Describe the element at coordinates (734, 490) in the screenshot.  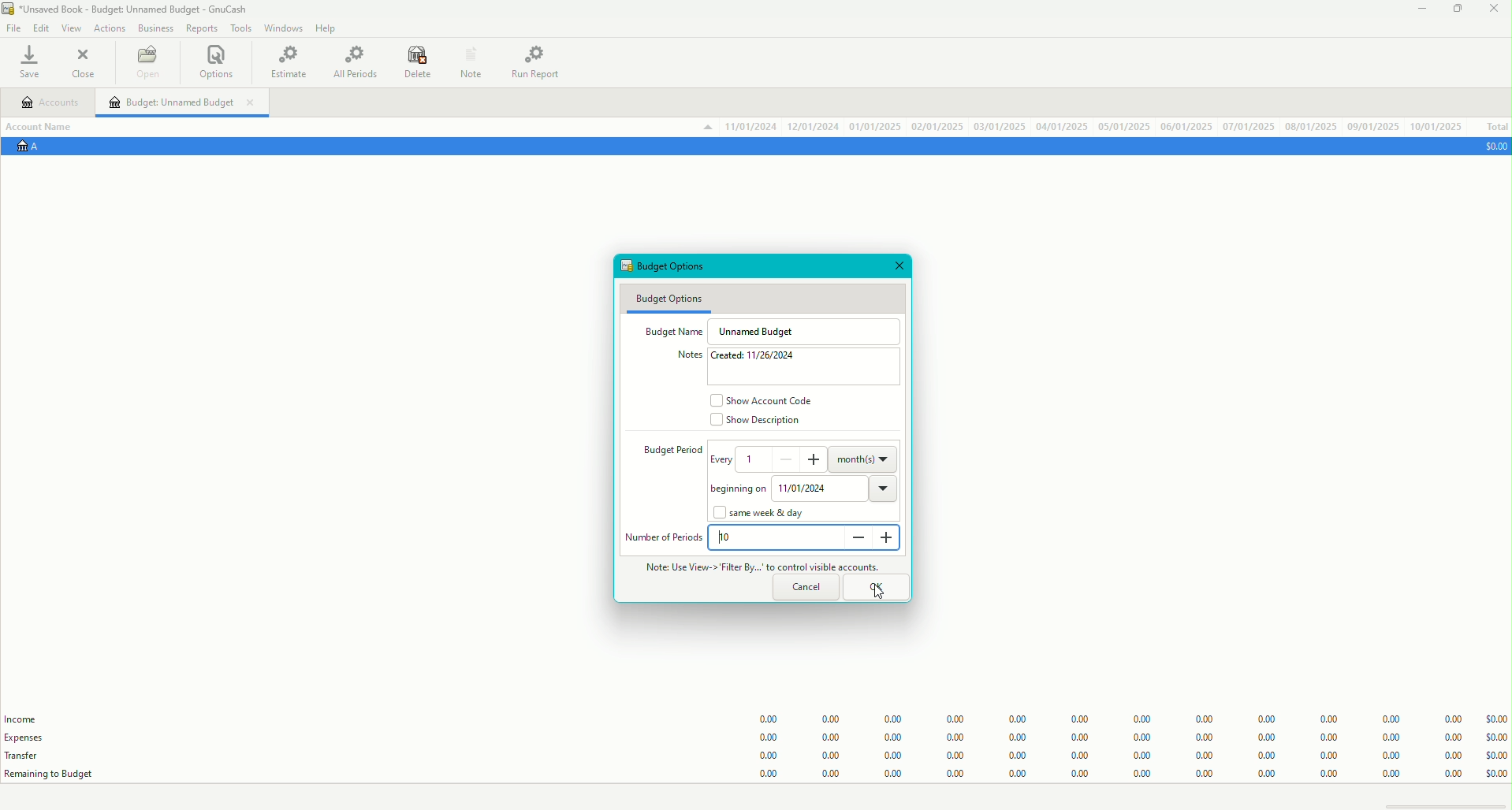
I see `begining on` at that location.